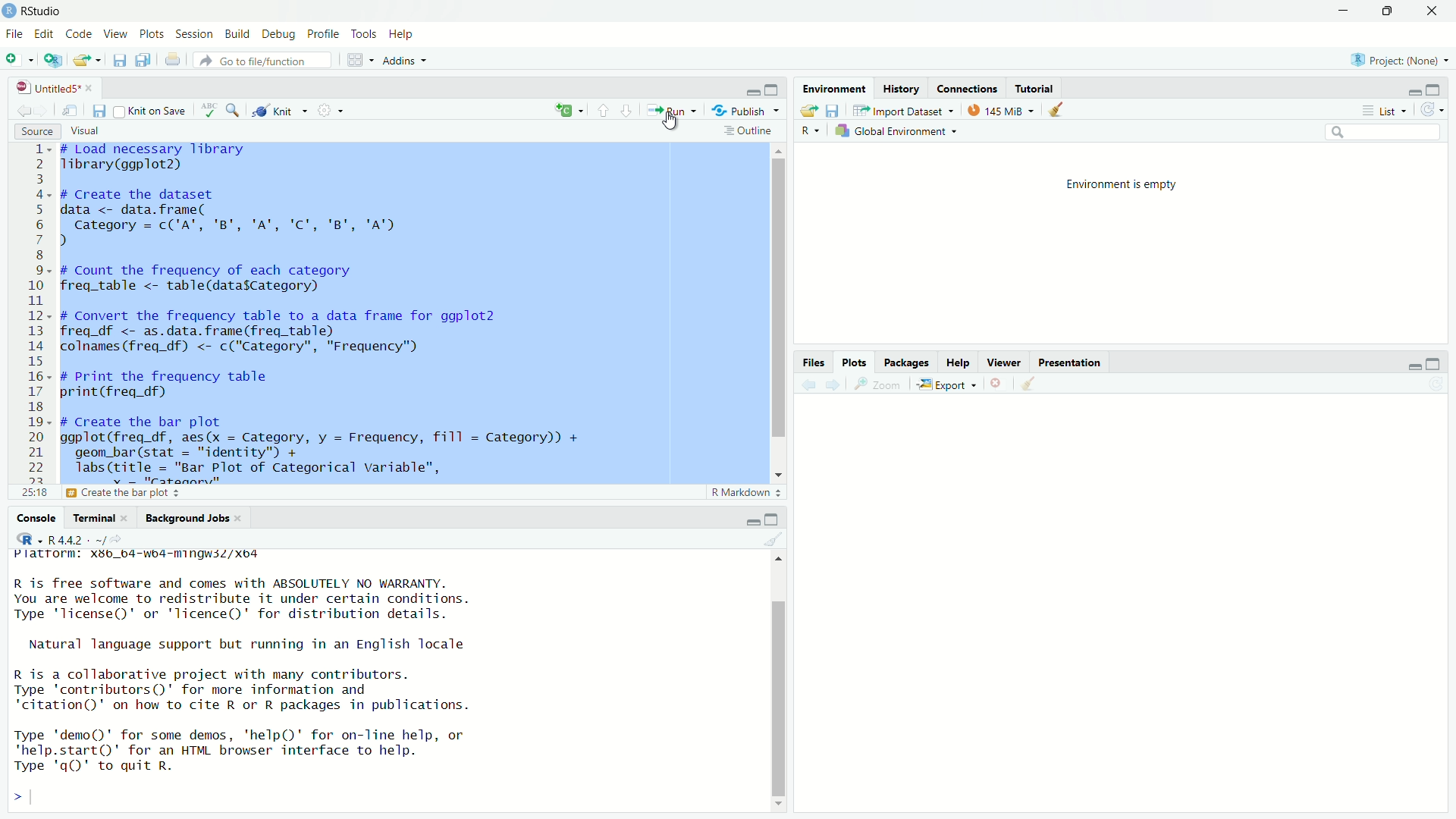  Describe the element at coordinates (1432, 110) in the screenshot. I see `refresh` at that location.